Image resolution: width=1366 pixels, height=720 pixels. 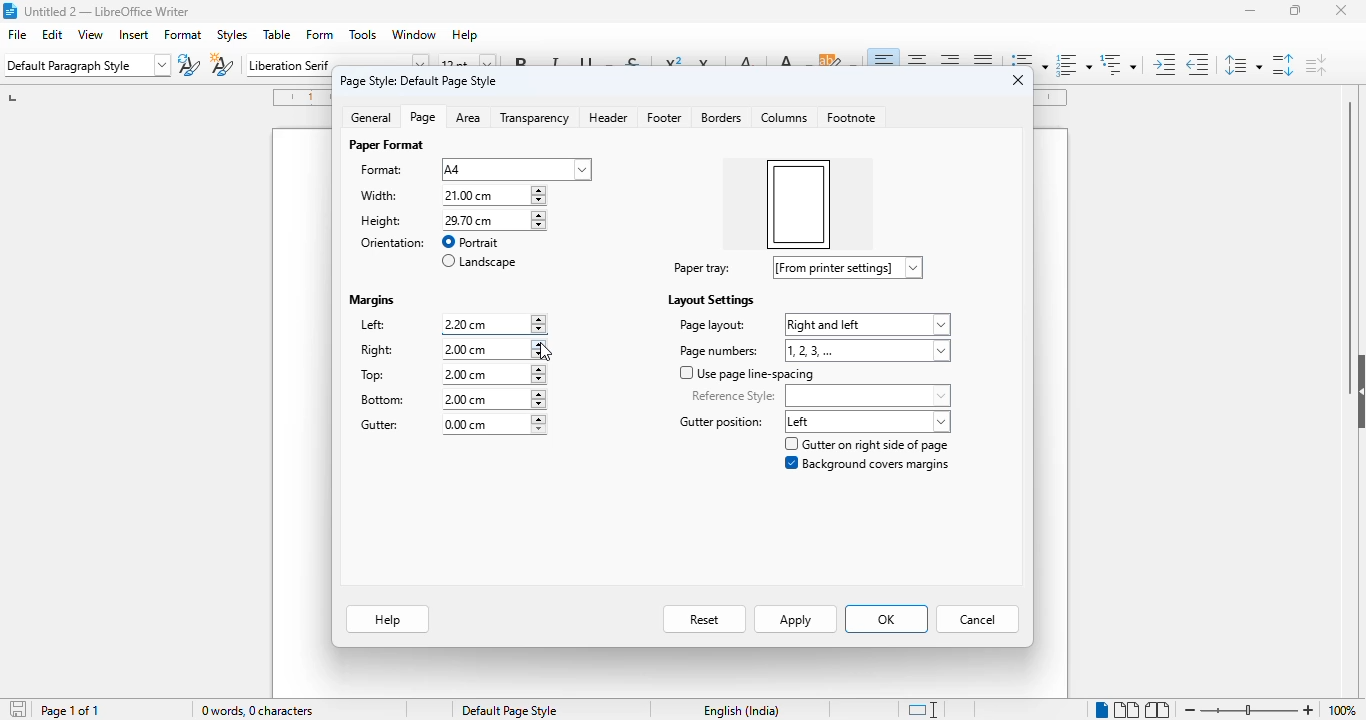 I want to click on width, so click(x=386, y=195).